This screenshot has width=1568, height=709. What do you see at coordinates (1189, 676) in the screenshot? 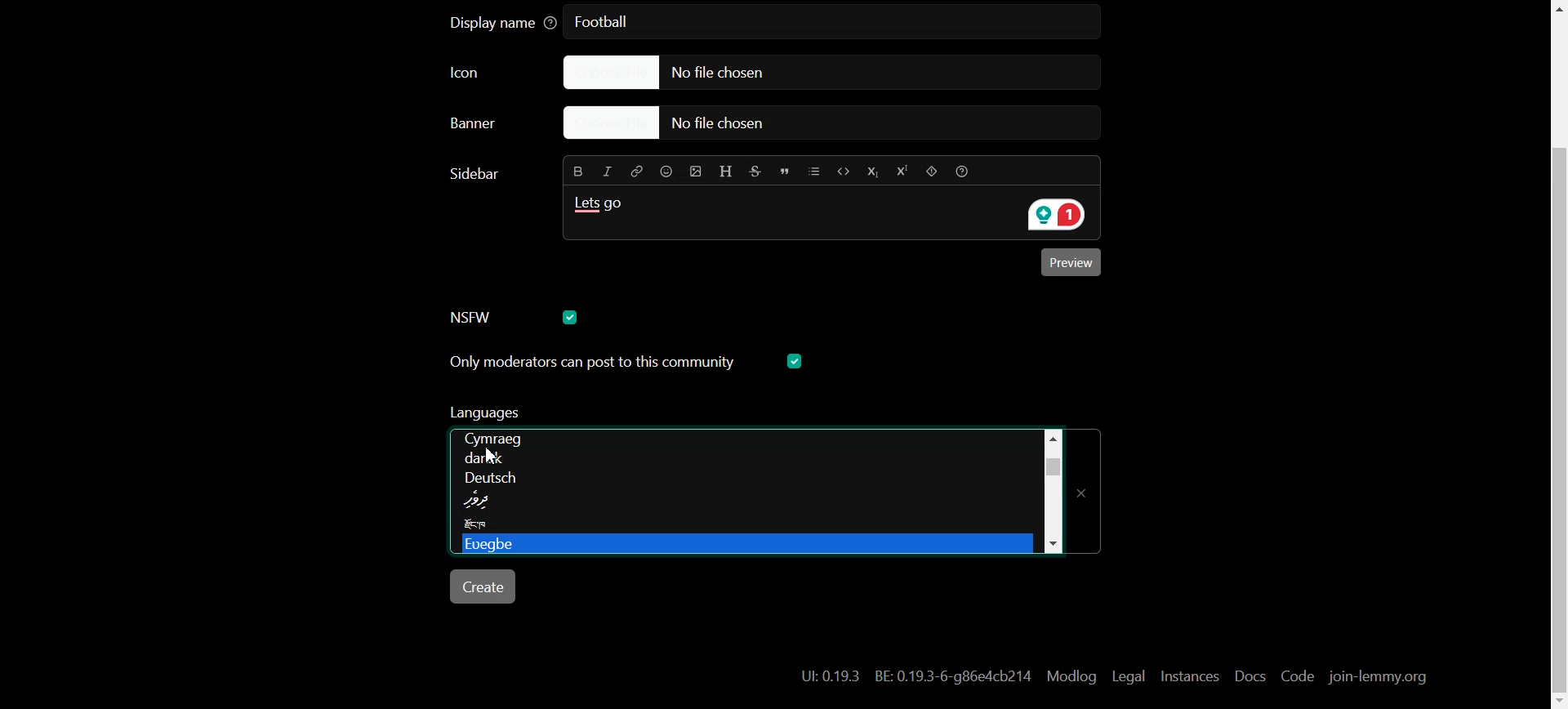
I see `Instance` at bounding box center [1189, 676].